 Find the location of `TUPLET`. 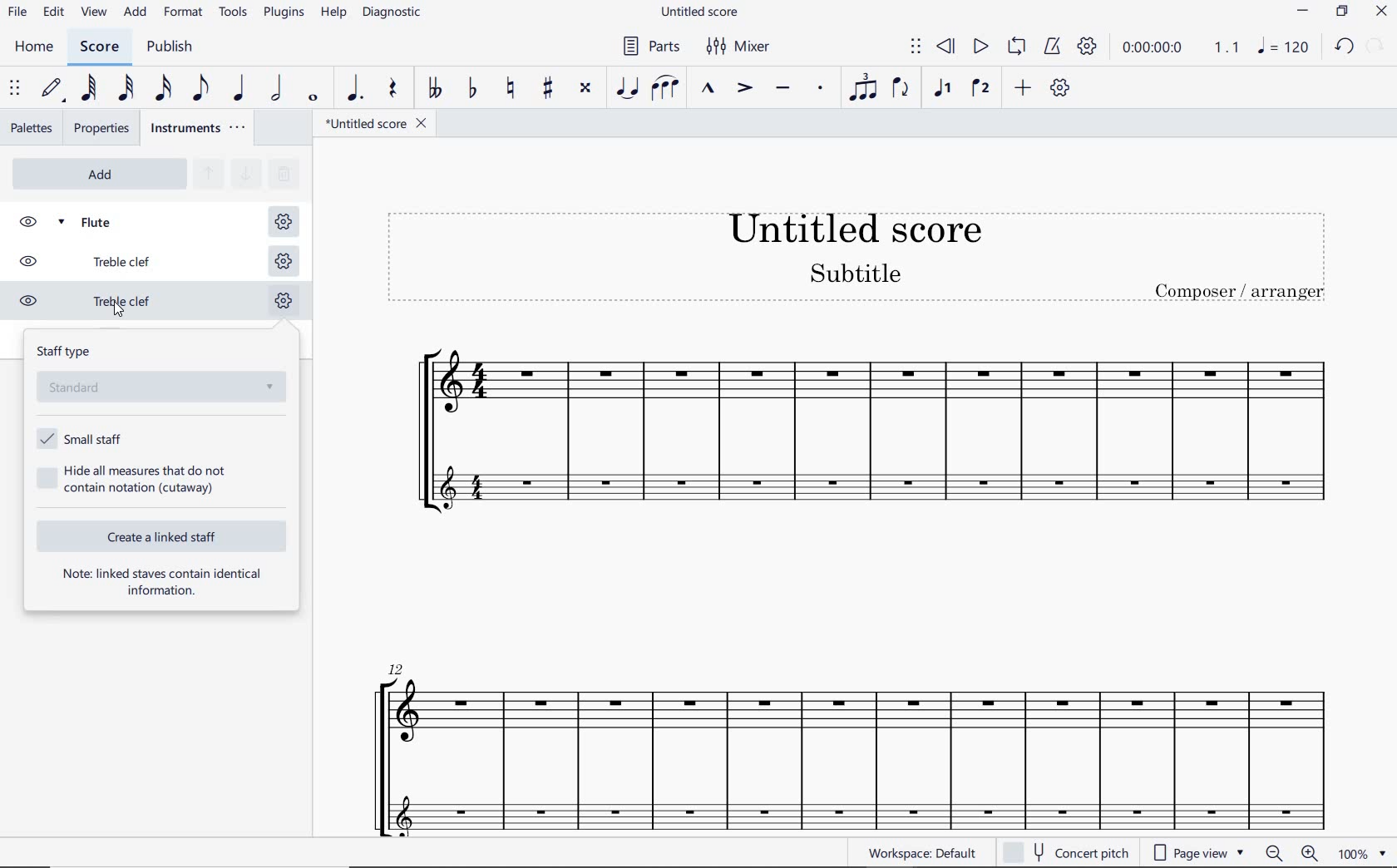

TUPLET is located at coordinates (858, 89).